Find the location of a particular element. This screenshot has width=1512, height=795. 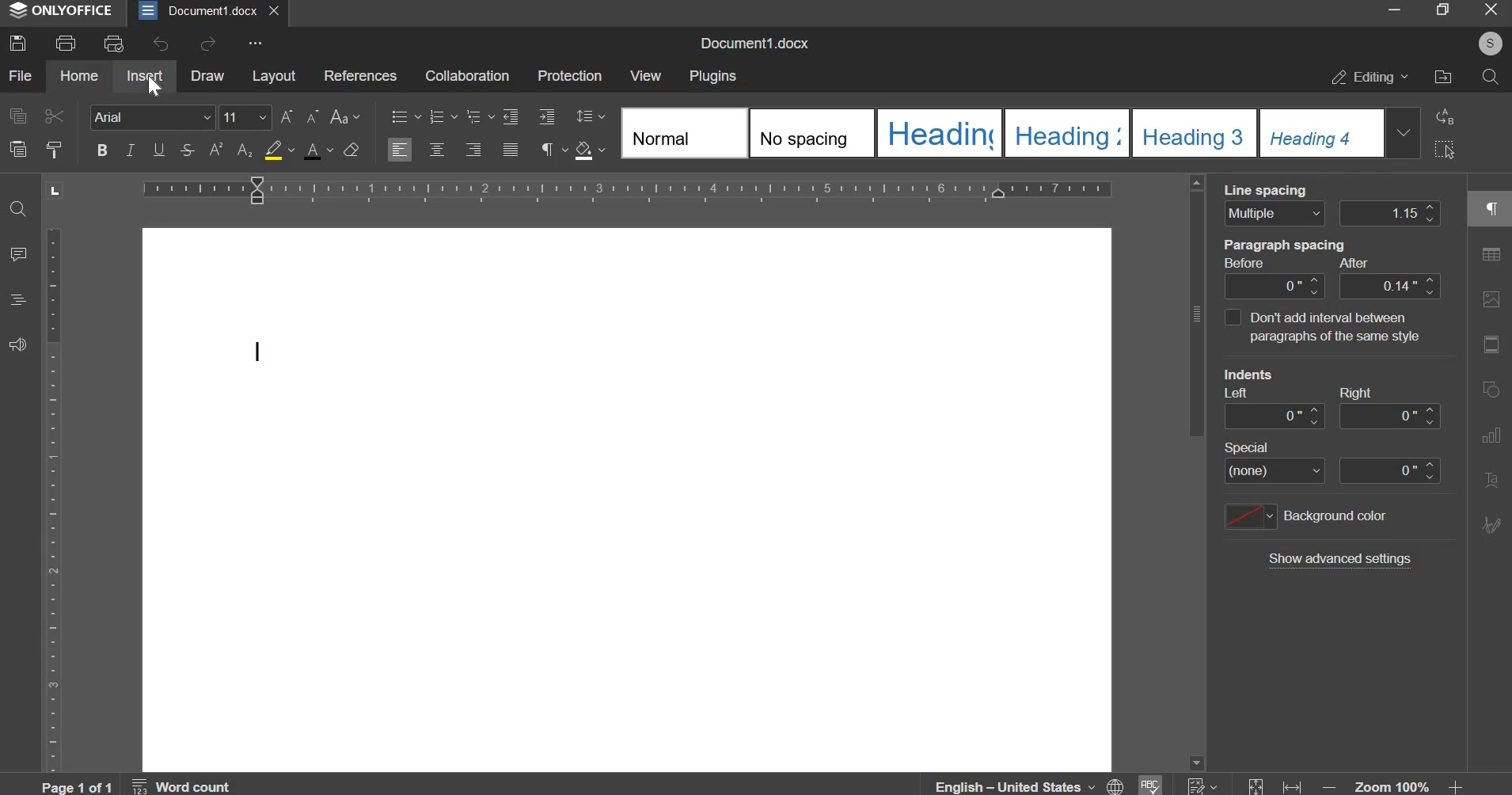

fill color is located at coordinates (276, 149).